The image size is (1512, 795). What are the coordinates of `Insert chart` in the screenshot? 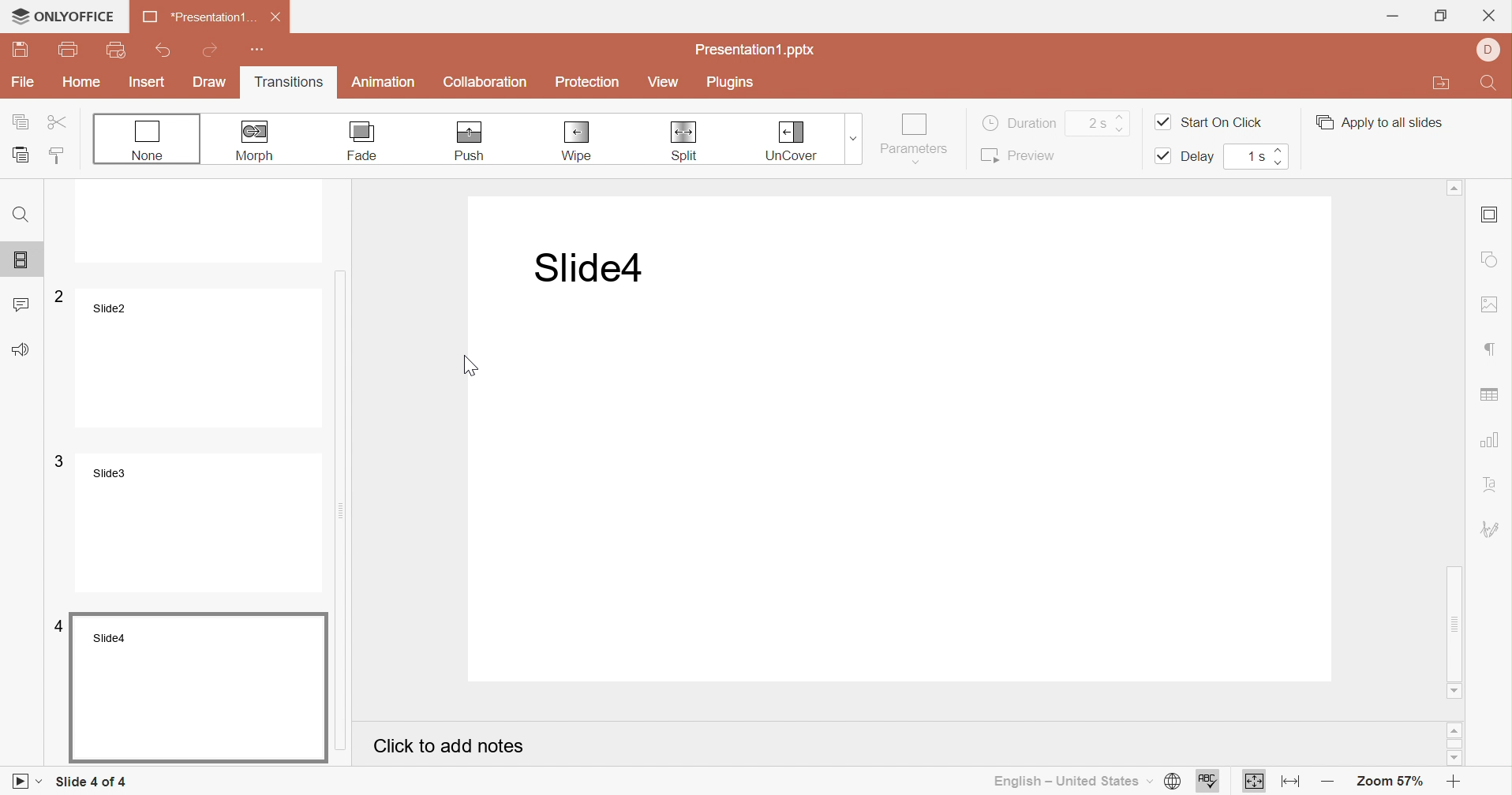 It's located at (1492, 391).